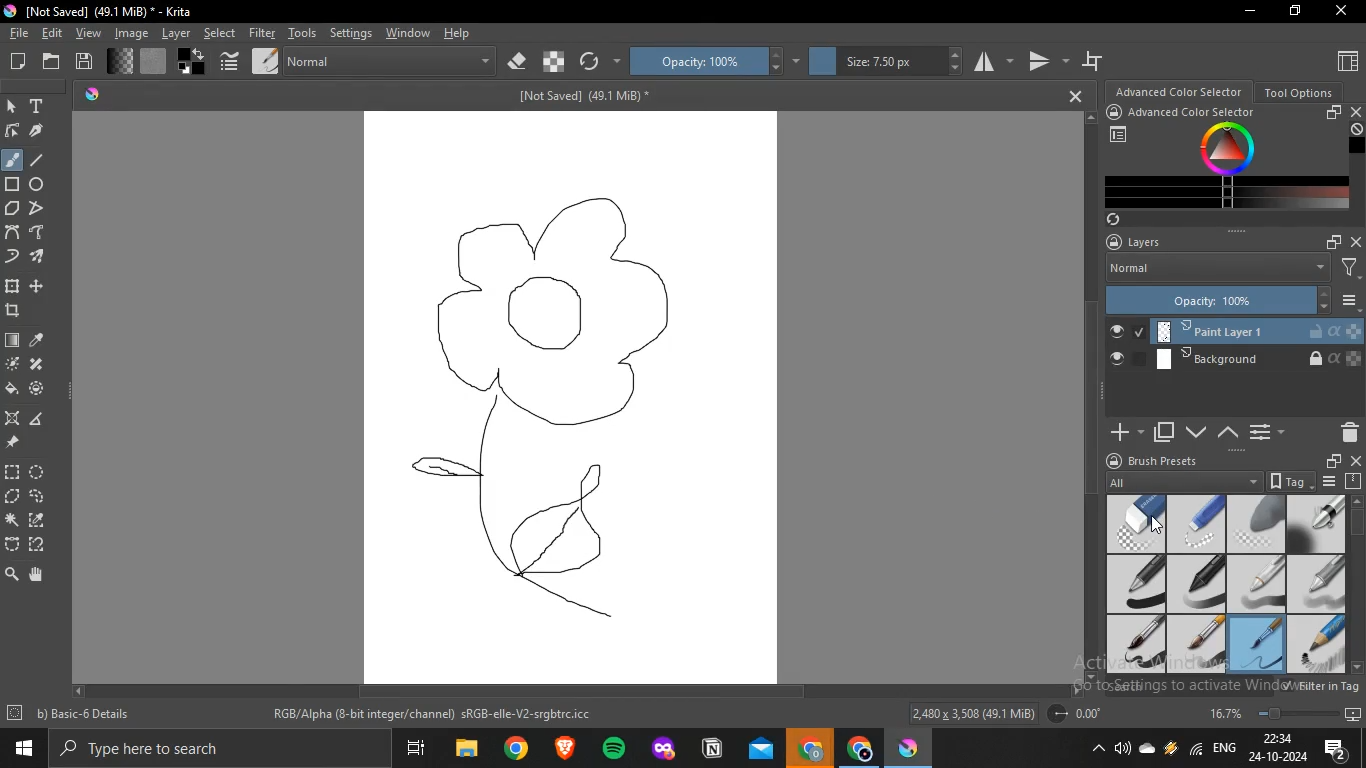 The image size is (1366, 768). I want to click on basic 6 details, so click(1258, 646).